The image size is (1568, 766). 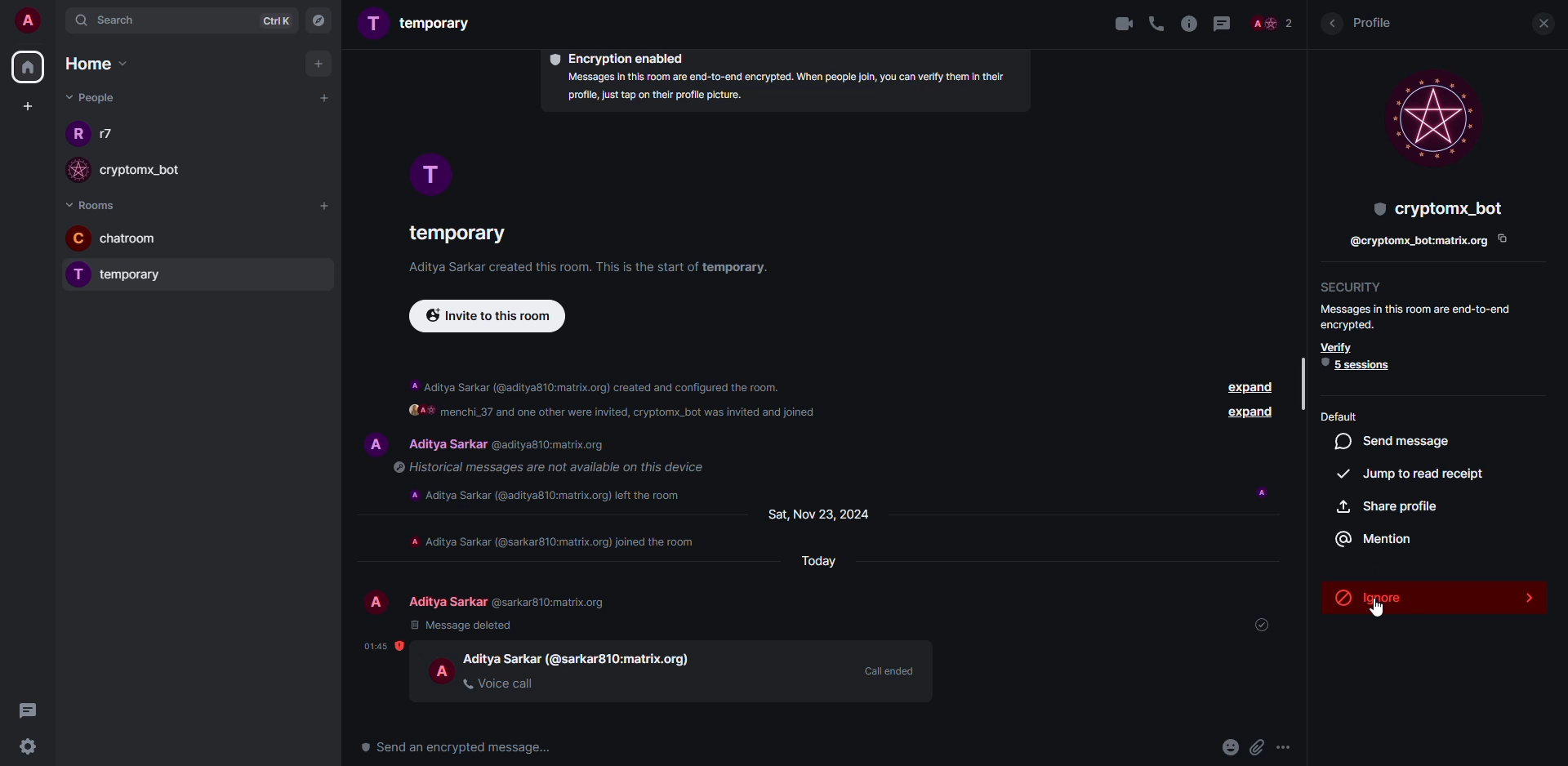 What do you see at coordinates (1414, 473) in the screenshot?
I see `jump to read receipt` at bounding box center [1414, 473].